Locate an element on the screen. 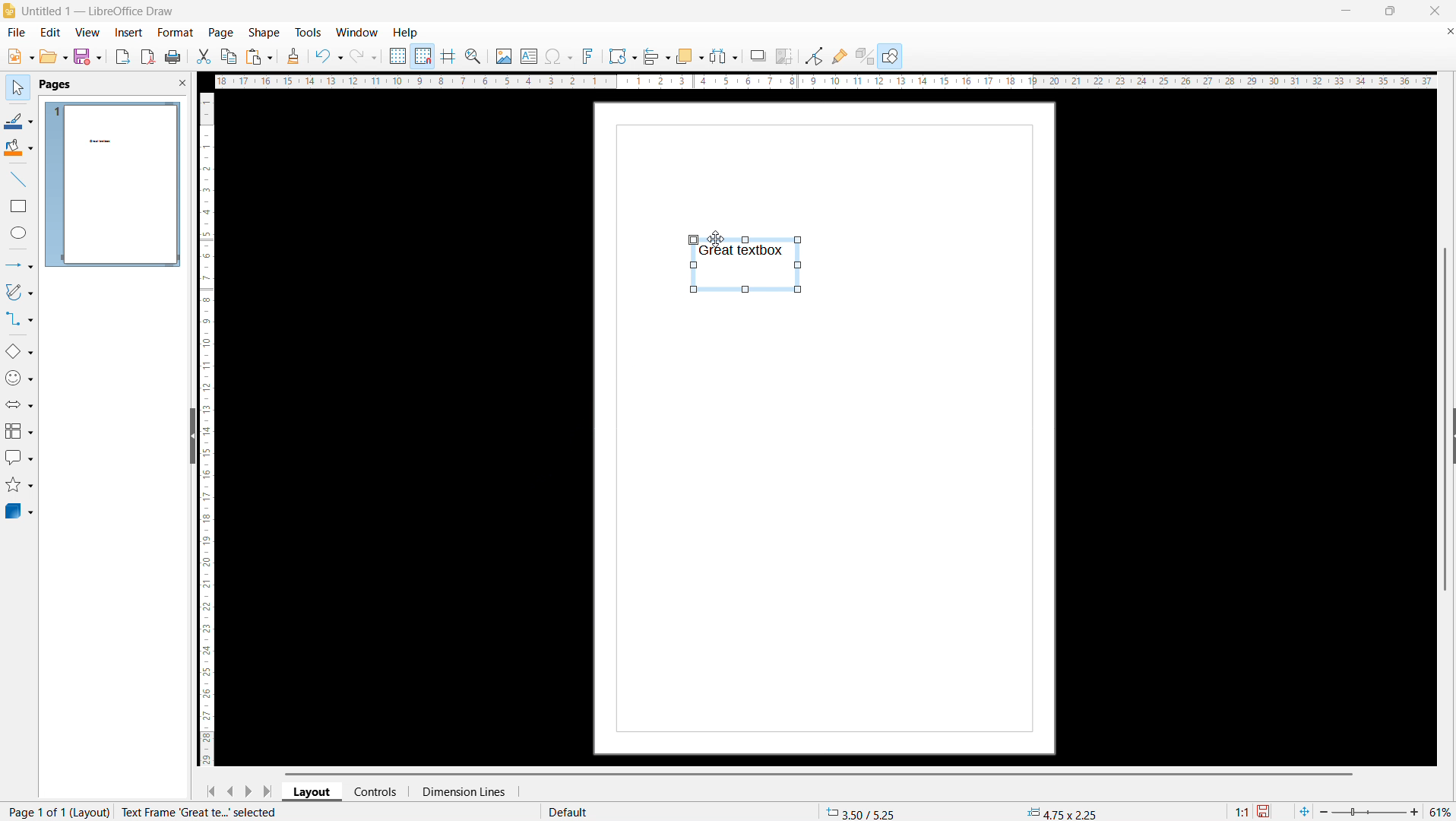 This screenshot has height=821, width=1456. flowcharts is located at coordinates (18, 431).